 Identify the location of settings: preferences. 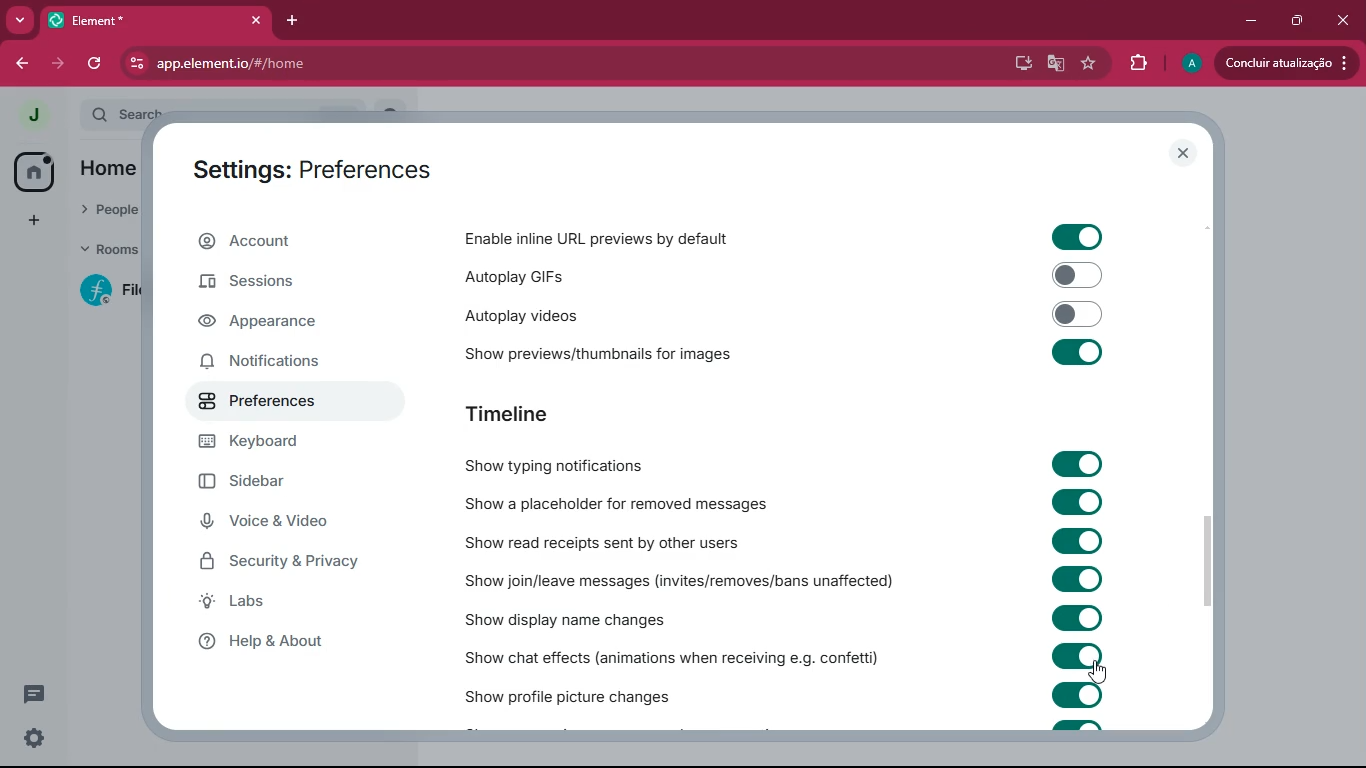
(323, 168).